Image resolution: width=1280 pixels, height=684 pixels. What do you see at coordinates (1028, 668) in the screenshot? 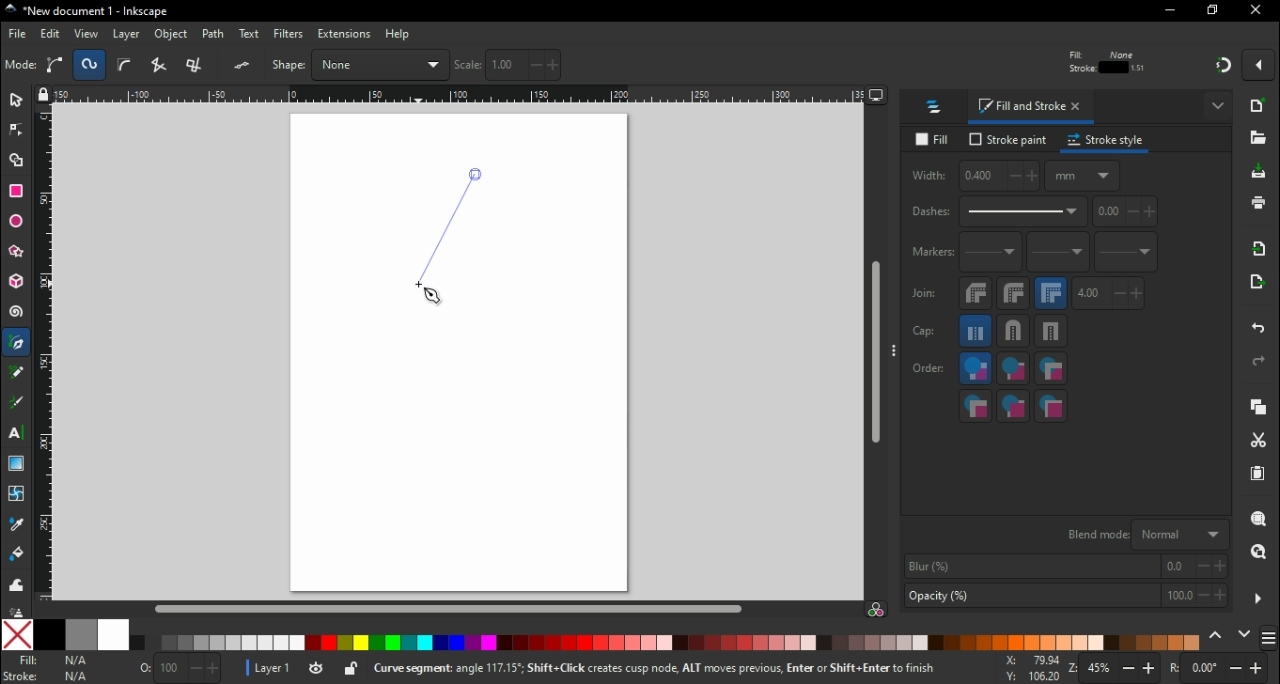
I see `cursor coordinates` at bounding box center [1028, 668].